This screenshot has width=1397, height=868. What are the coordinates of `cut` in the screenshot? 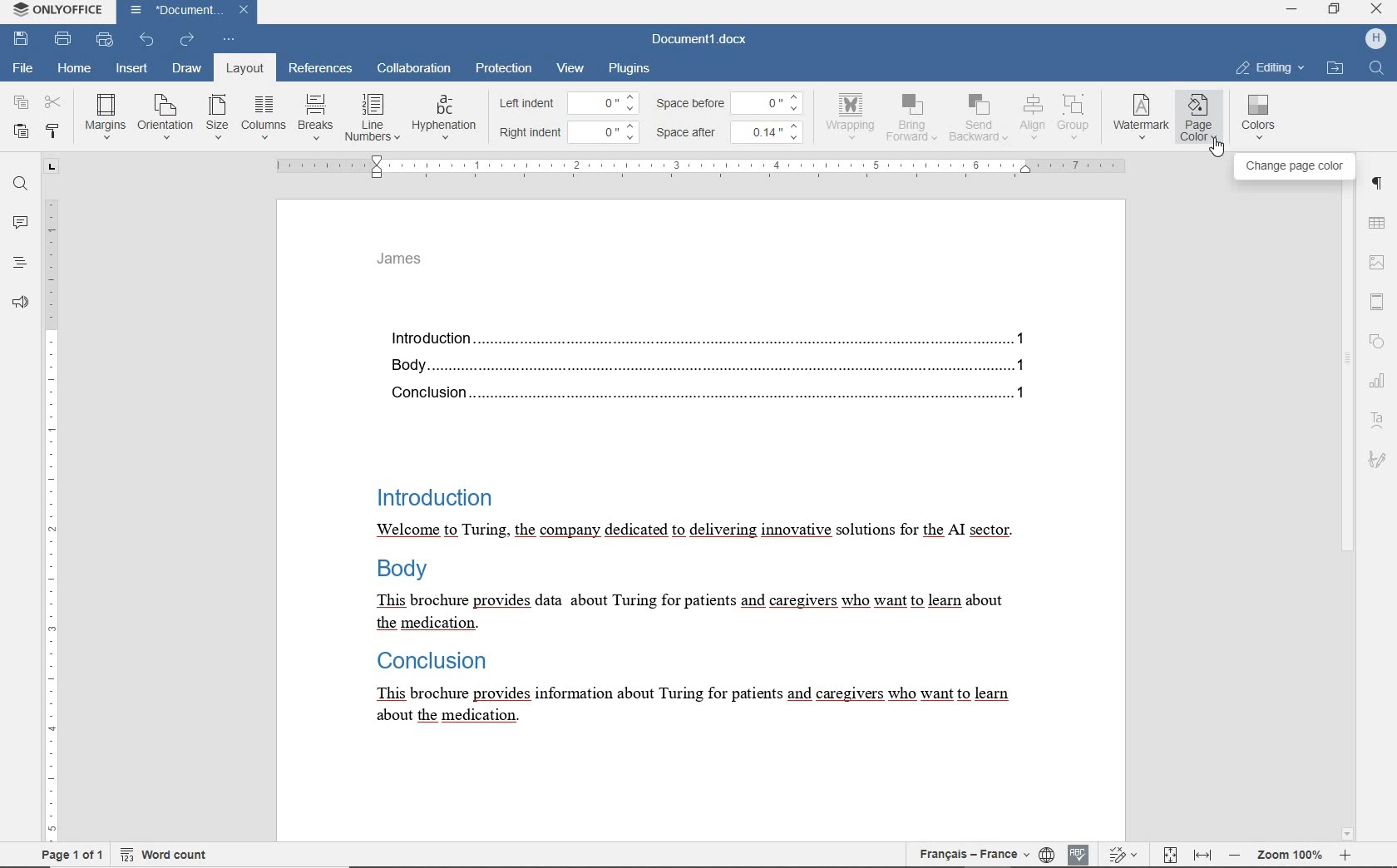 It's located at (54, 101).